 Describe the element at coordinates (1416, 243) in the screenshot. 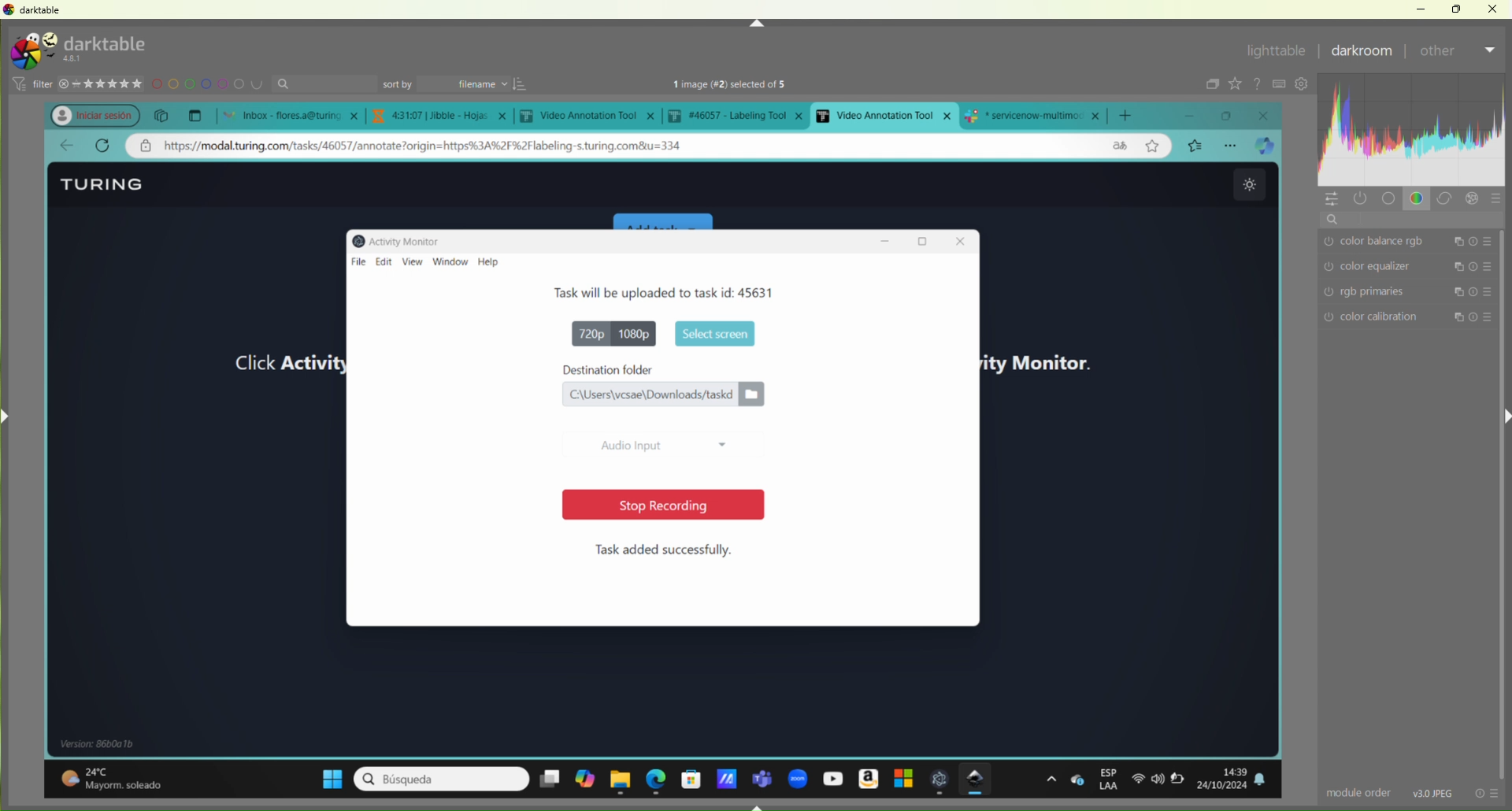

I see `color balance` at that location.